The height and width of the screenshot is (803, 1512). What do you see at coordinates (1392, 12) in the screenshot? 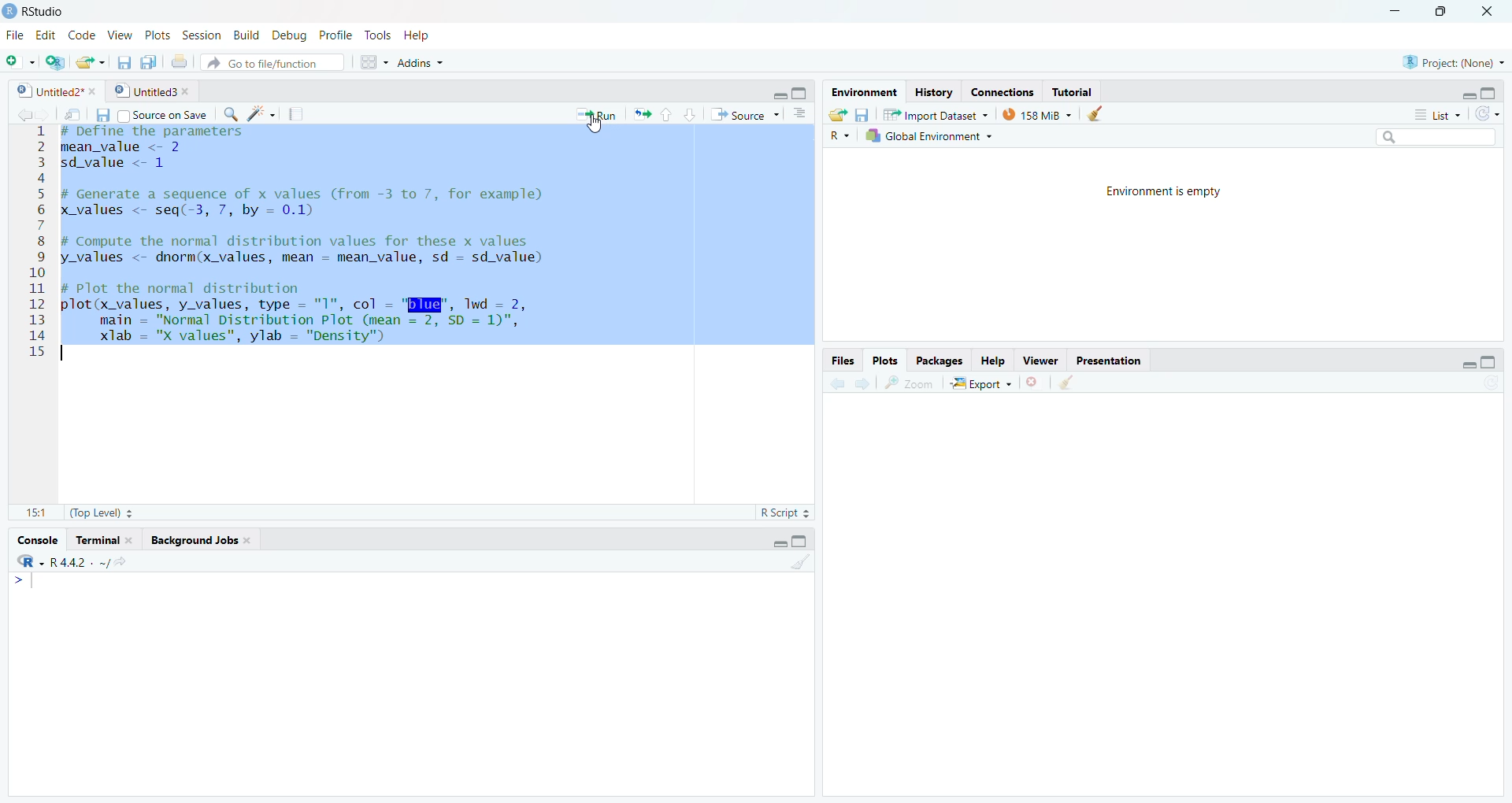
I see `minimize` at bounding box center [1392, 12].